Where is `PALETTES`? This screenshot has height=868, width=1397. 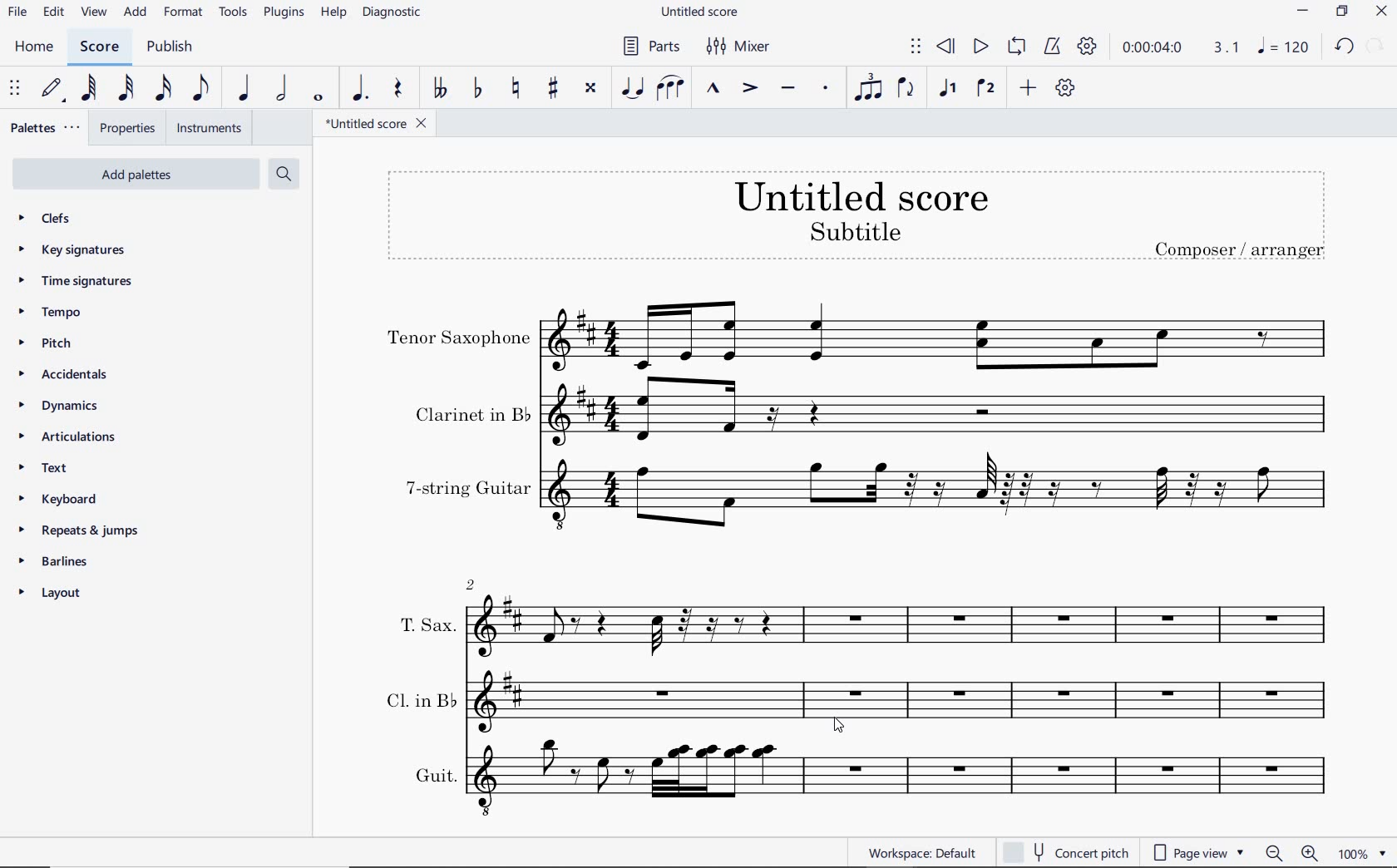 PALETTES is located at coordinates (46, 129).